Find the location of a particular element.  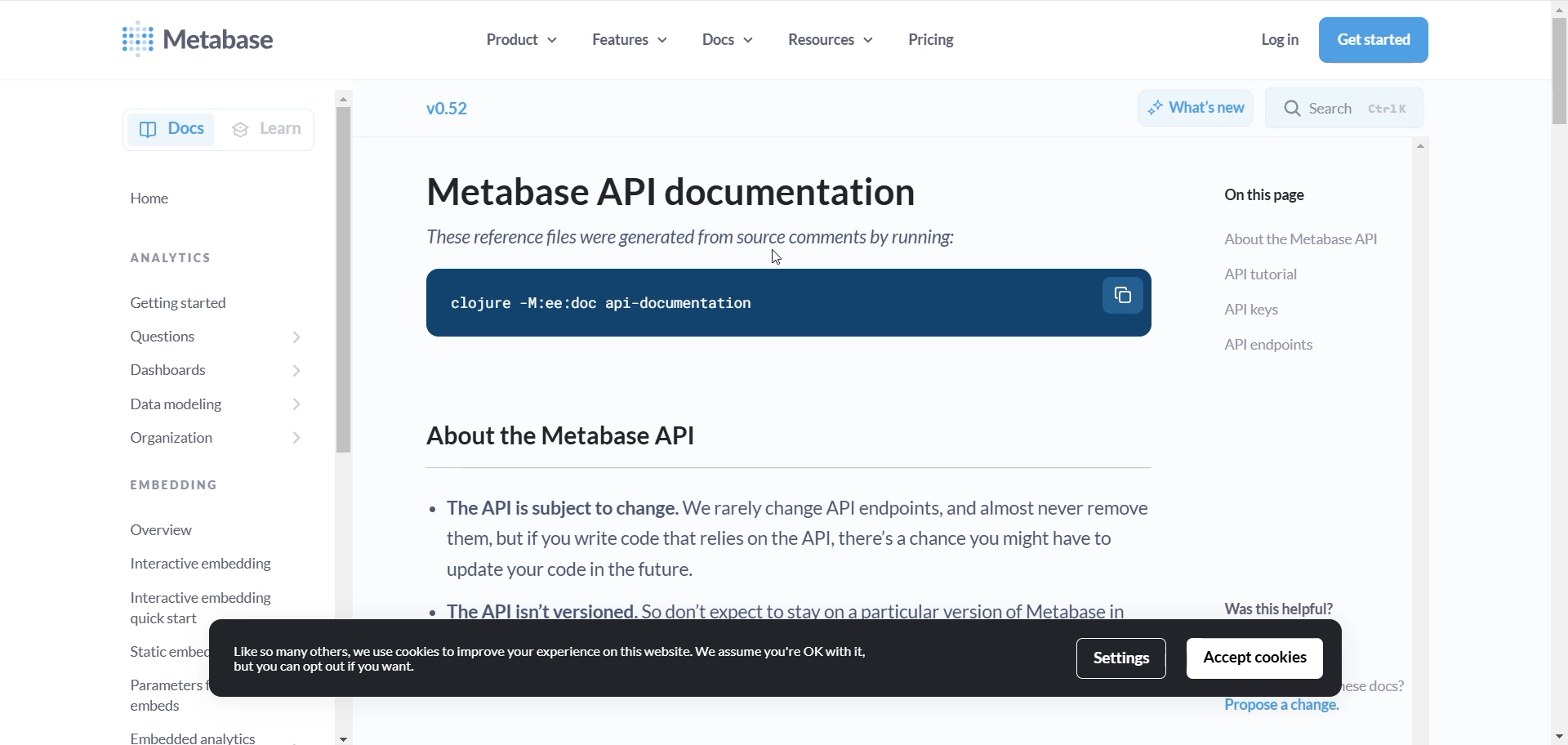

propose change function is located at coordinates (1290, 707).